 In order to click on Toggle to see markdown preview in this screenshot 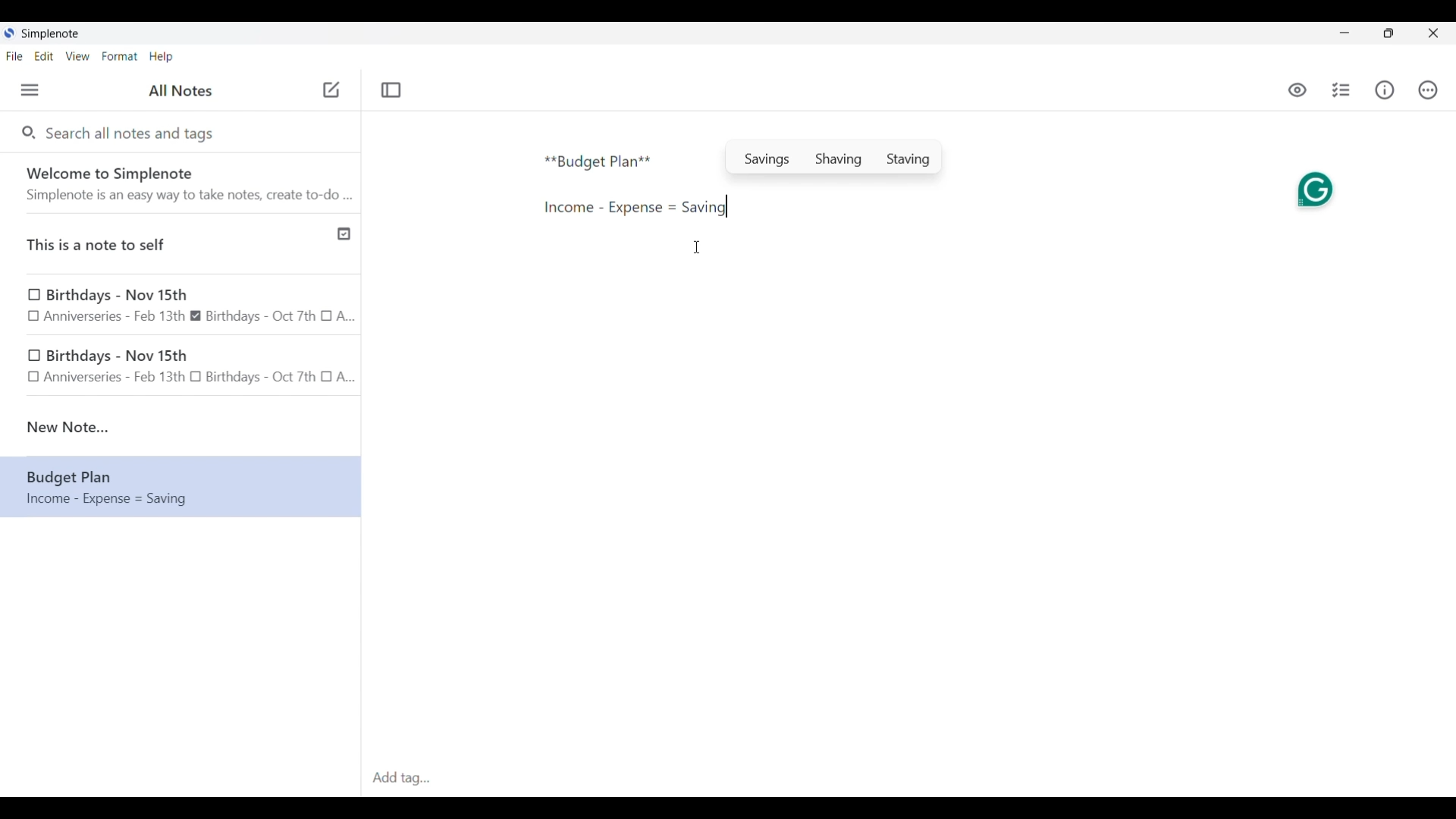, I will do `click(1298, 90)`.